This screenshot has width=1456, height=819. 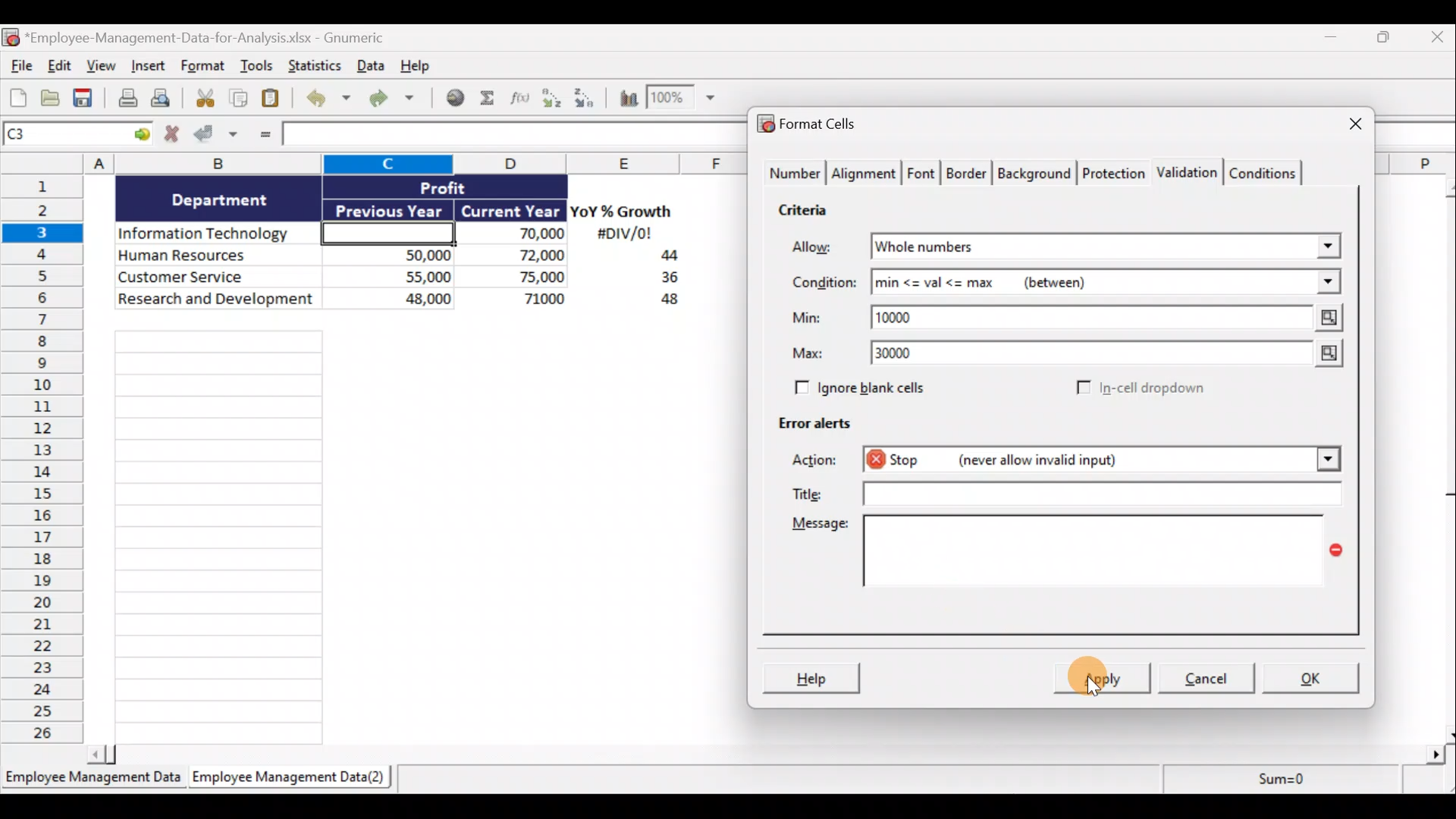 I want to click on 48, so click(x=661, y=302).